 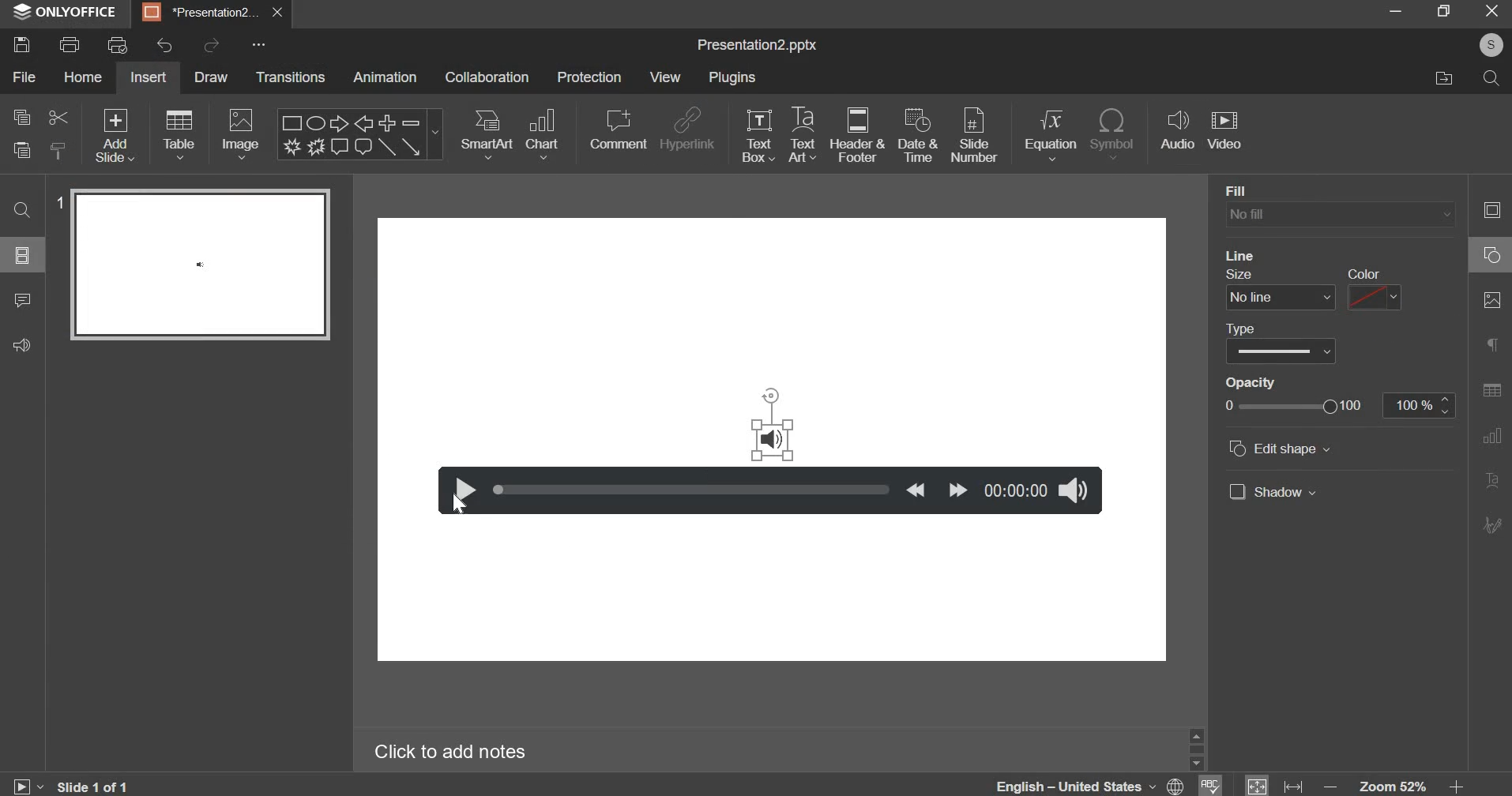 What do you see at coordinates (1409, 405) in the screenshot?
I see `100%` at bounding box center [1409, 405].